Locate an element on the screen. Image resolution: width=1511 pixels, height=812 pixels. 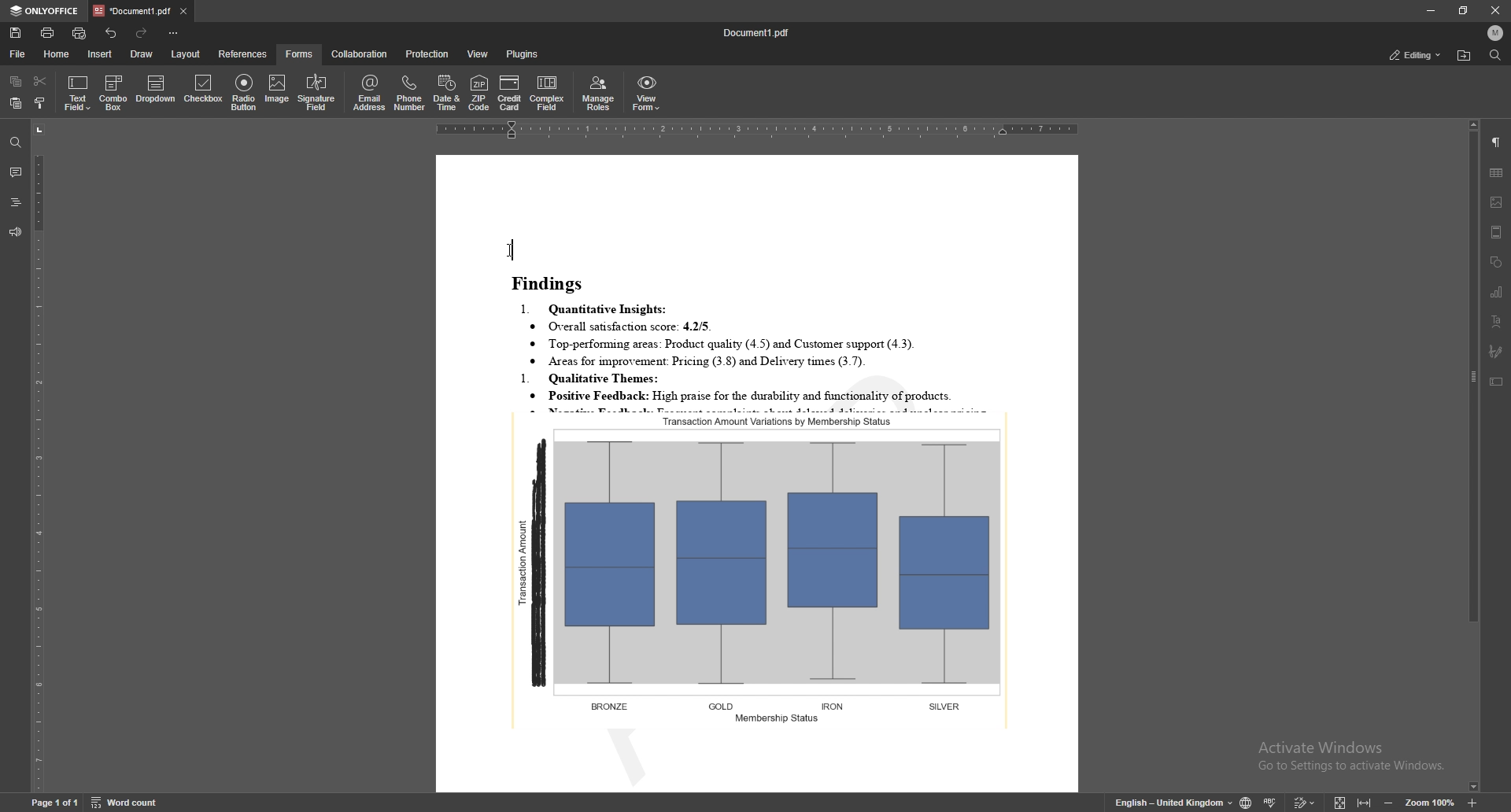
find is located at coordinates (14, 143).